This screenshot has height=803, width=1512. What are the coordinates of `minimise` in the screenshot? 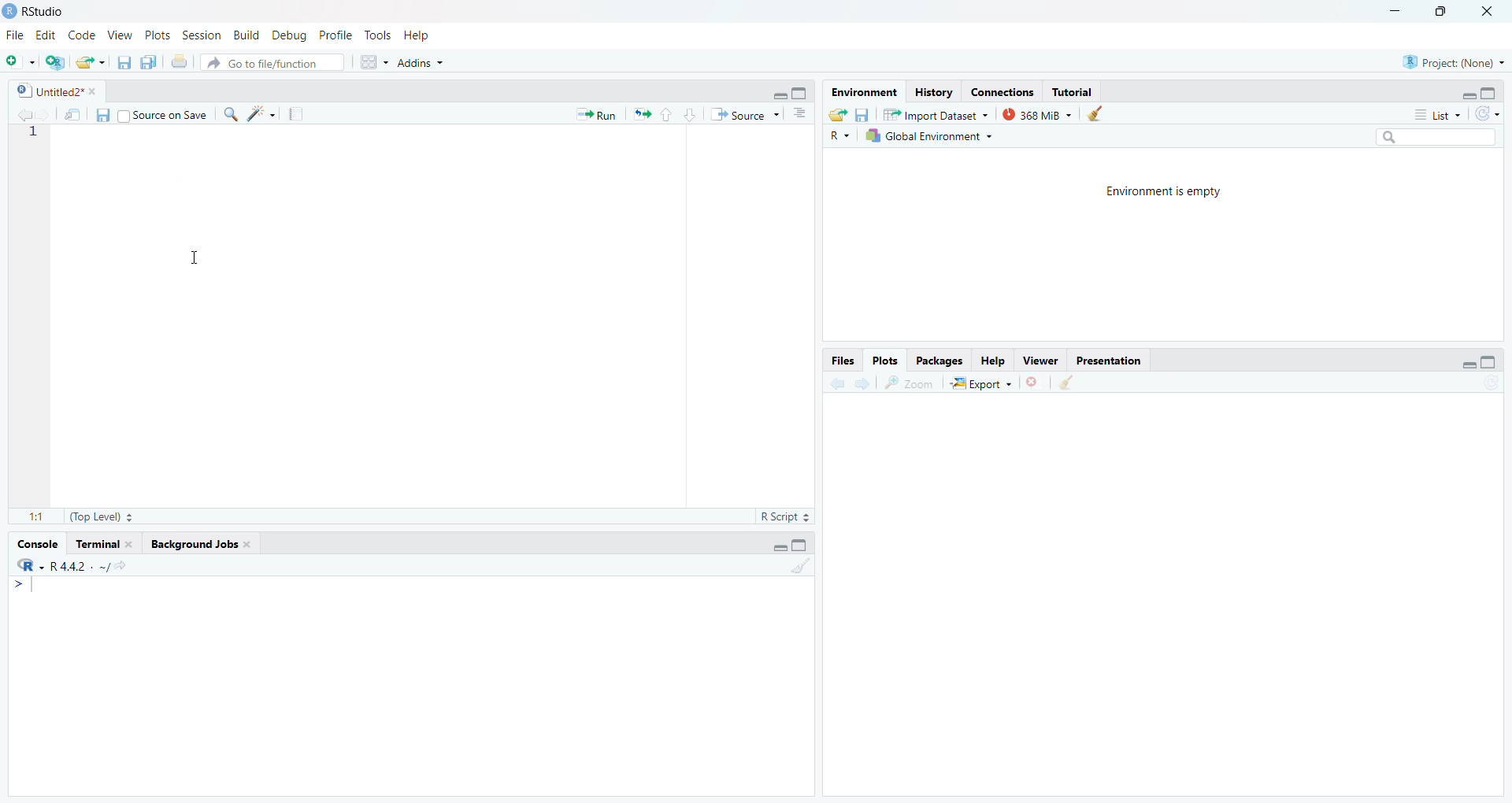 It's located at (777, 94).